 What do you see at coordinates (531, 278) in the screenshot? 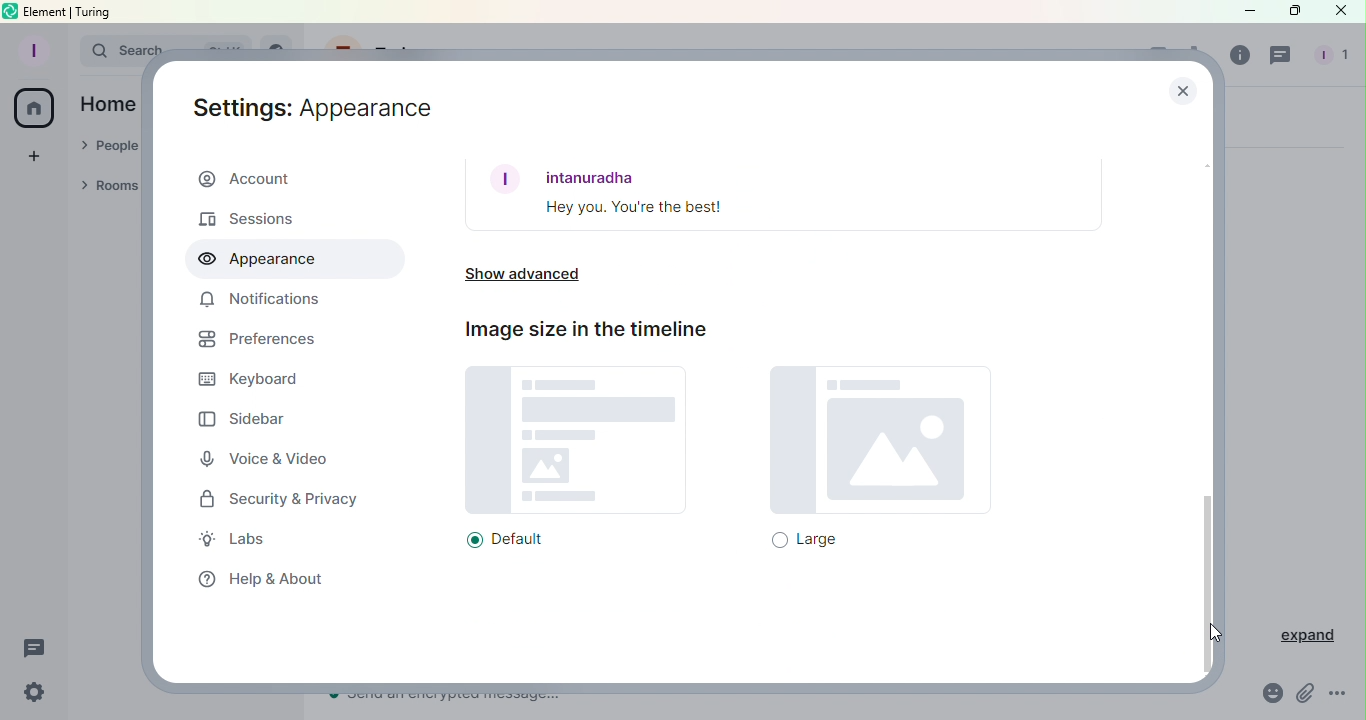
I see `Show advanced` at bounding box center [531, 278].